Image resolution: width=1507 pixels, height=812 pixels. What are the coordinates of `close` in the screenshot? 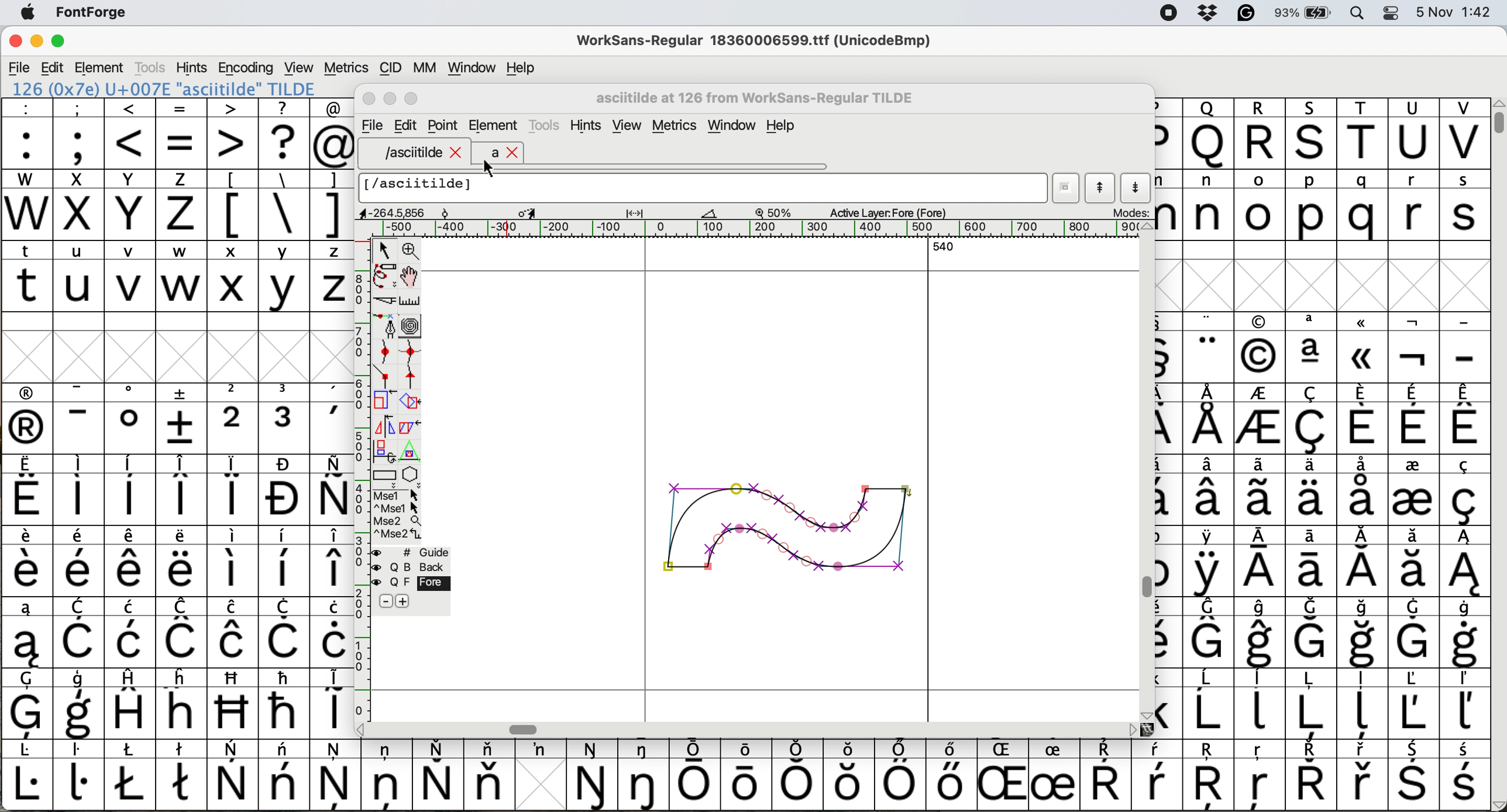 It's located at (15, 43).